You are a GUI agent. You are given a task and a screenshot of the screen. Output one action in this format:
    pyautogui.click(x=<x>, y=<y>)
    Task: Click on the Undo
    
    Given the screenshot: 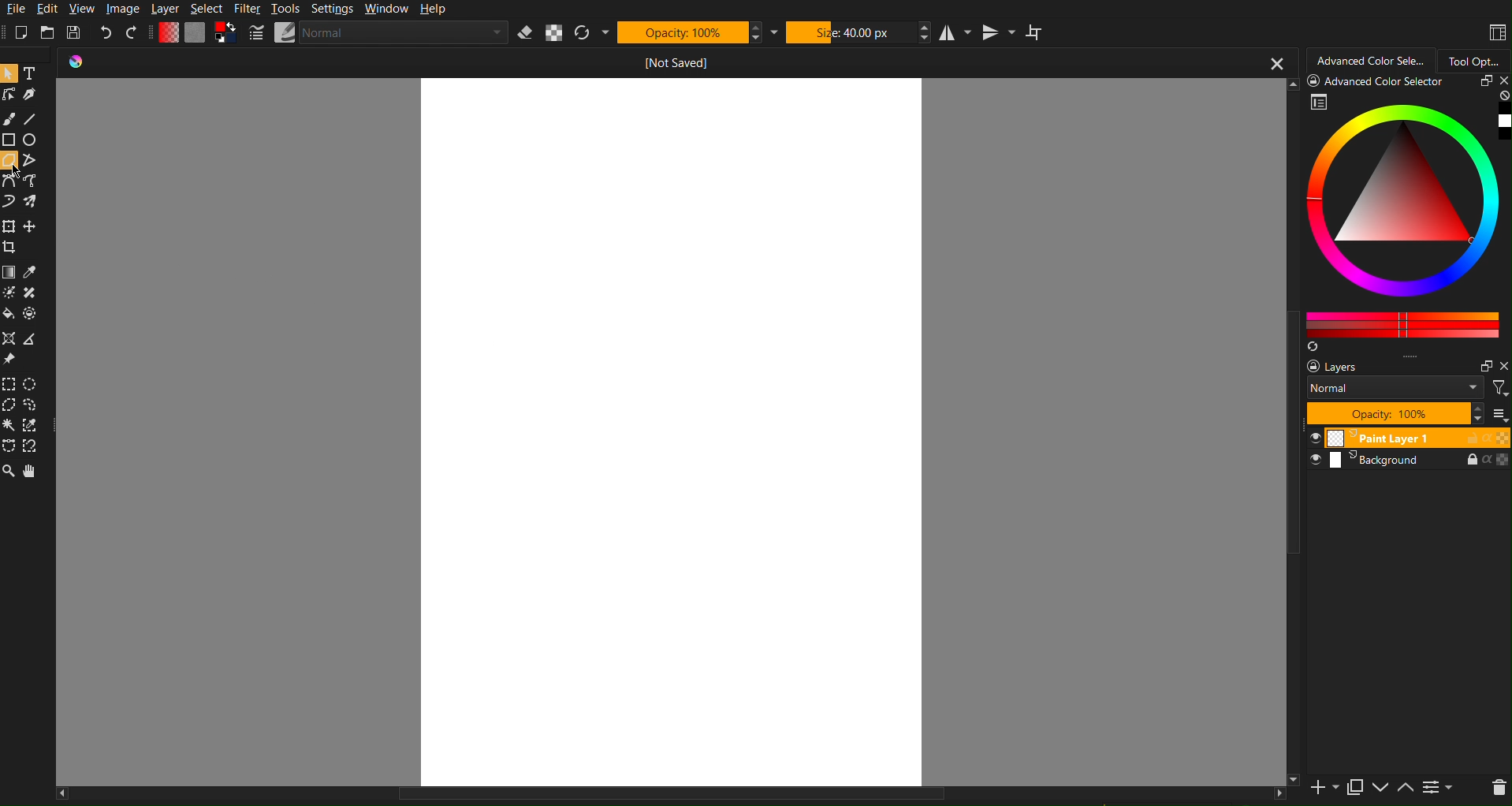 What is the action you would take?
    pyautogui.click(x=106, y=33)
    